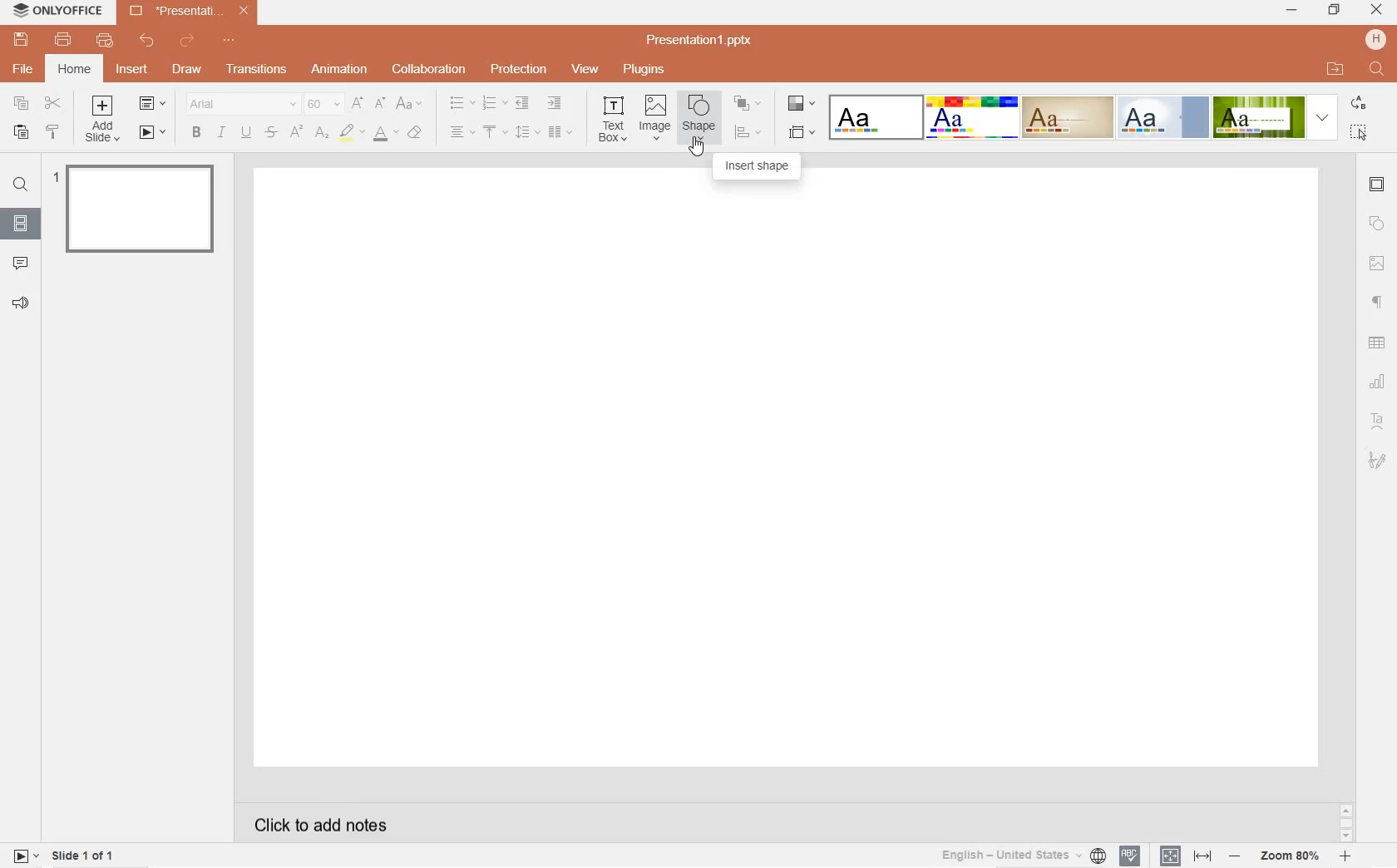 This screenshot has width=1397, height=868. Describe the element at coordinates (1378, 70) in the screenshot. I see `FIND` at that location.